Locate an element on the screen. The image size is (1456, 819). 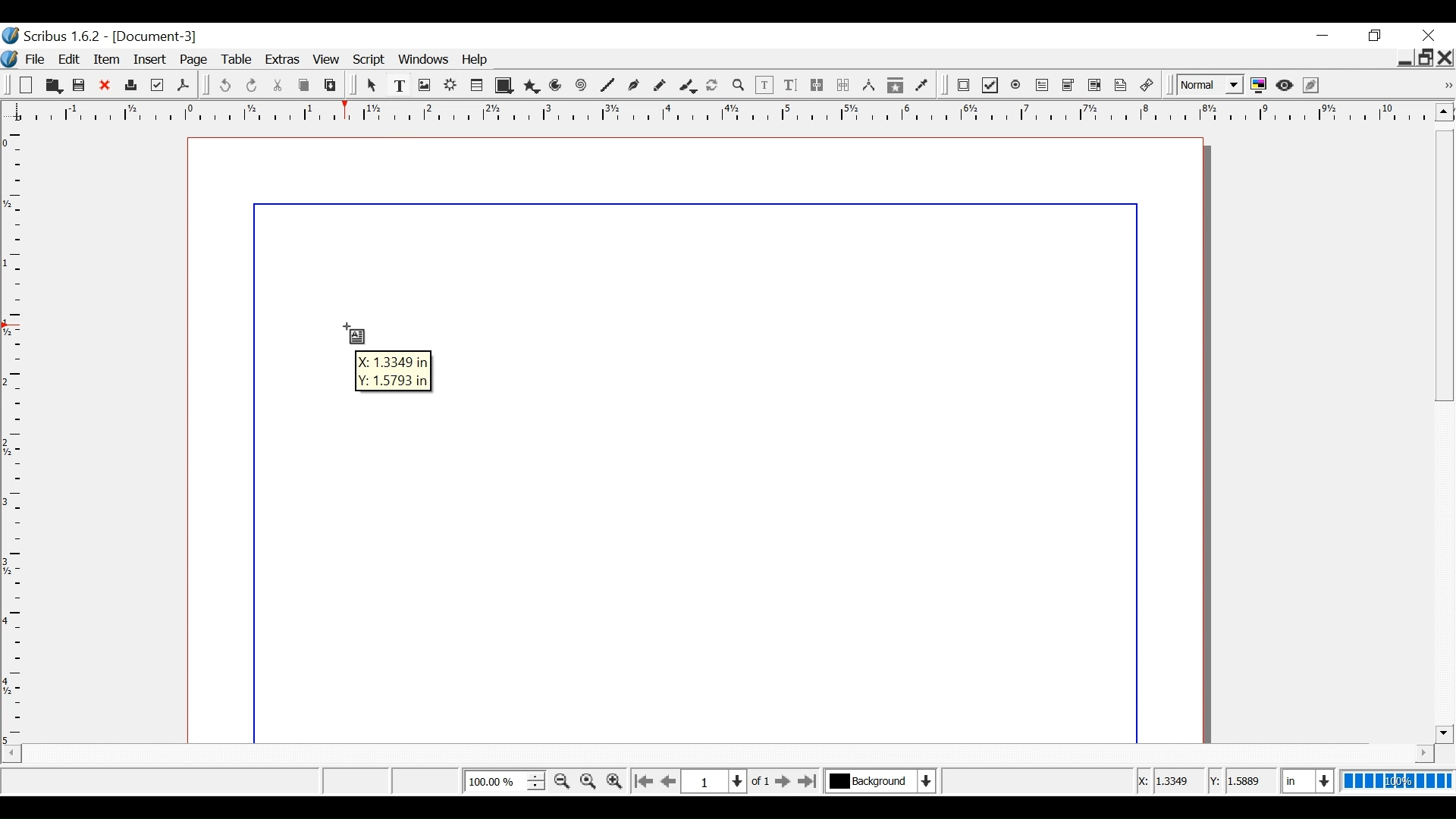
Go to the next page is located at coordinates (782, 781).